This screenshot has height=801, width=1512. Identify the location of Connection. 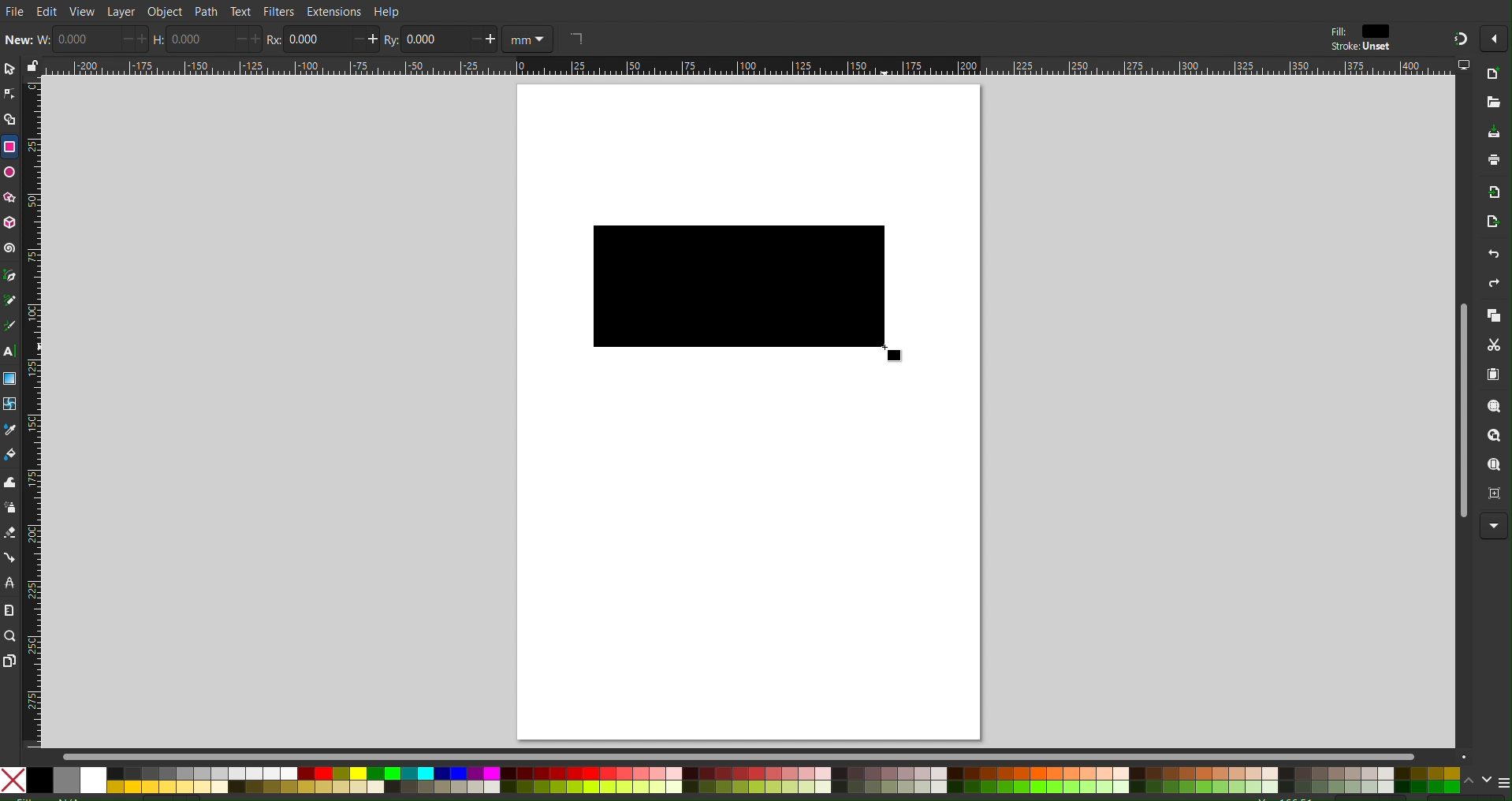
(9, 557).